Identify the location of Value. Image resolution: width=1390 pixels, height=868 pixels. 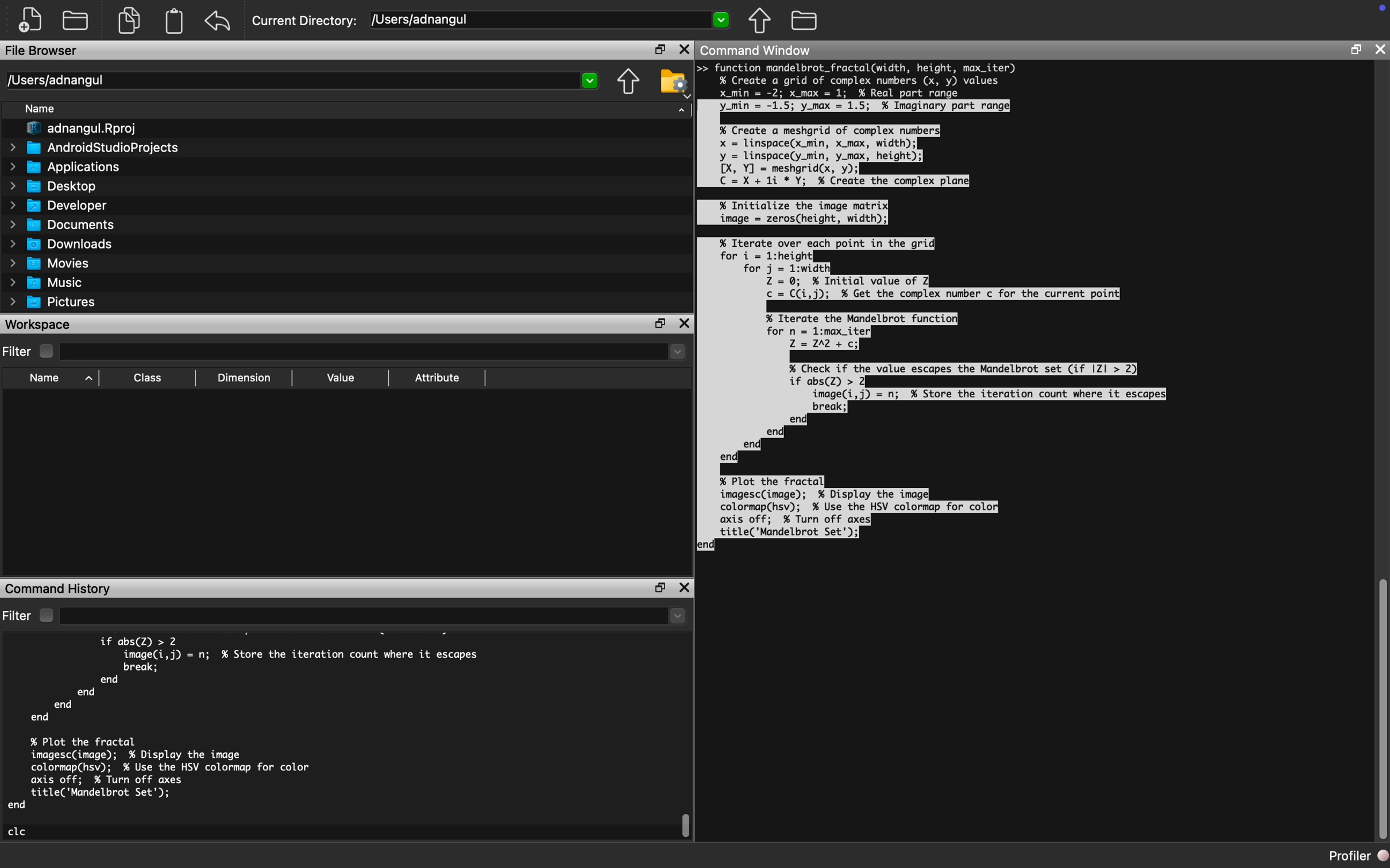
(341, 378).